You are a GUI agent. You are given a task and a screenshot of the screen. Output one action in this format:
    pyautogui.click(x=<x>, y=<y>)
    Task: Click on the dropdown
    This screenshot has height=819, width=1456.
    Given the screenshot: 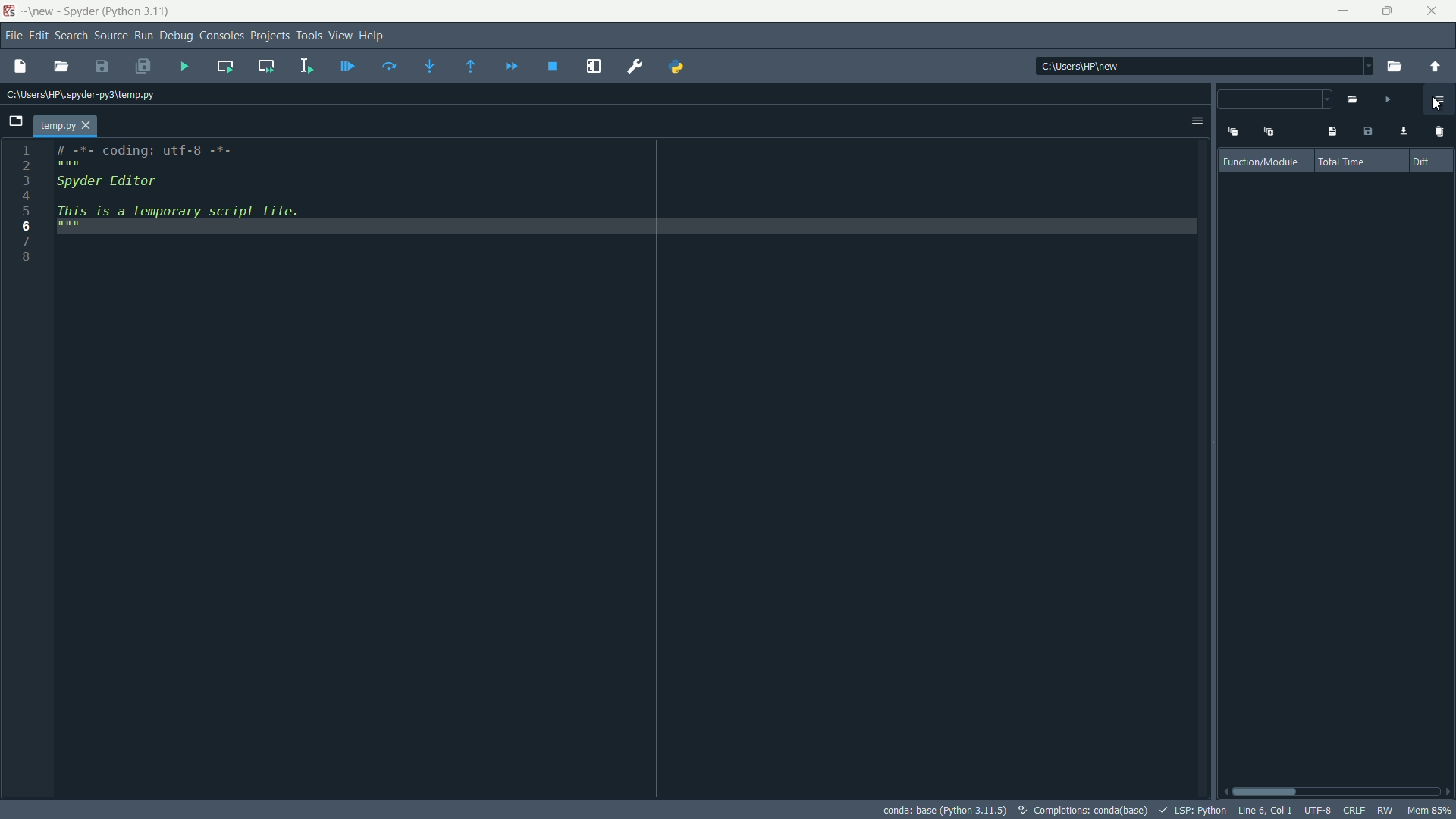 What is the action you would take?
    pyautogui.click(x=1276, y=101)
    